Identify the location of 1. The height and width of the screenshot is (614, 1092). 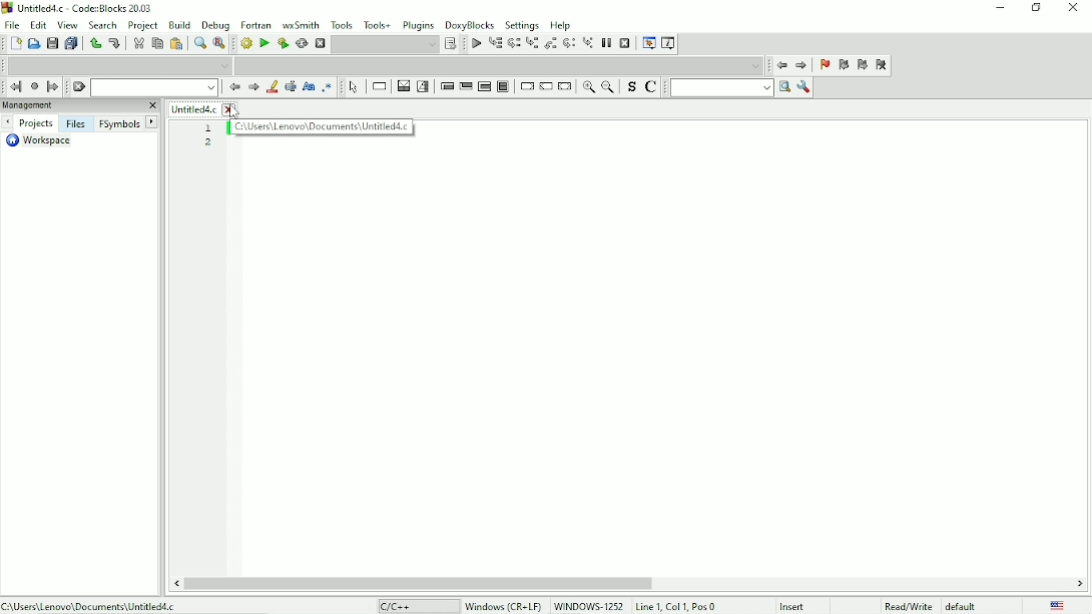
(208, 129).